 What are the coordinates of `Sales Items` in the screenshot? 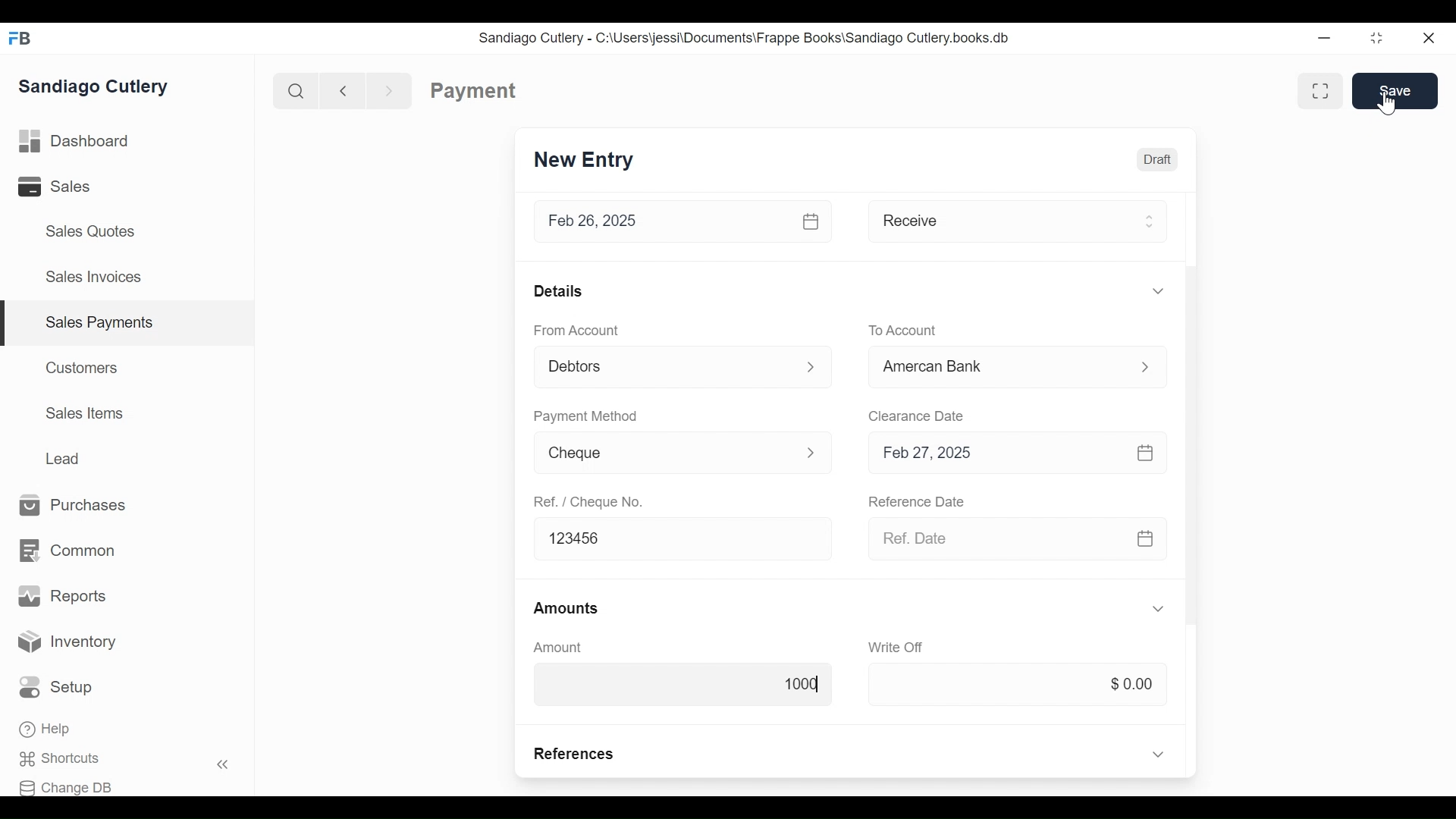 It's located at (85, 413).